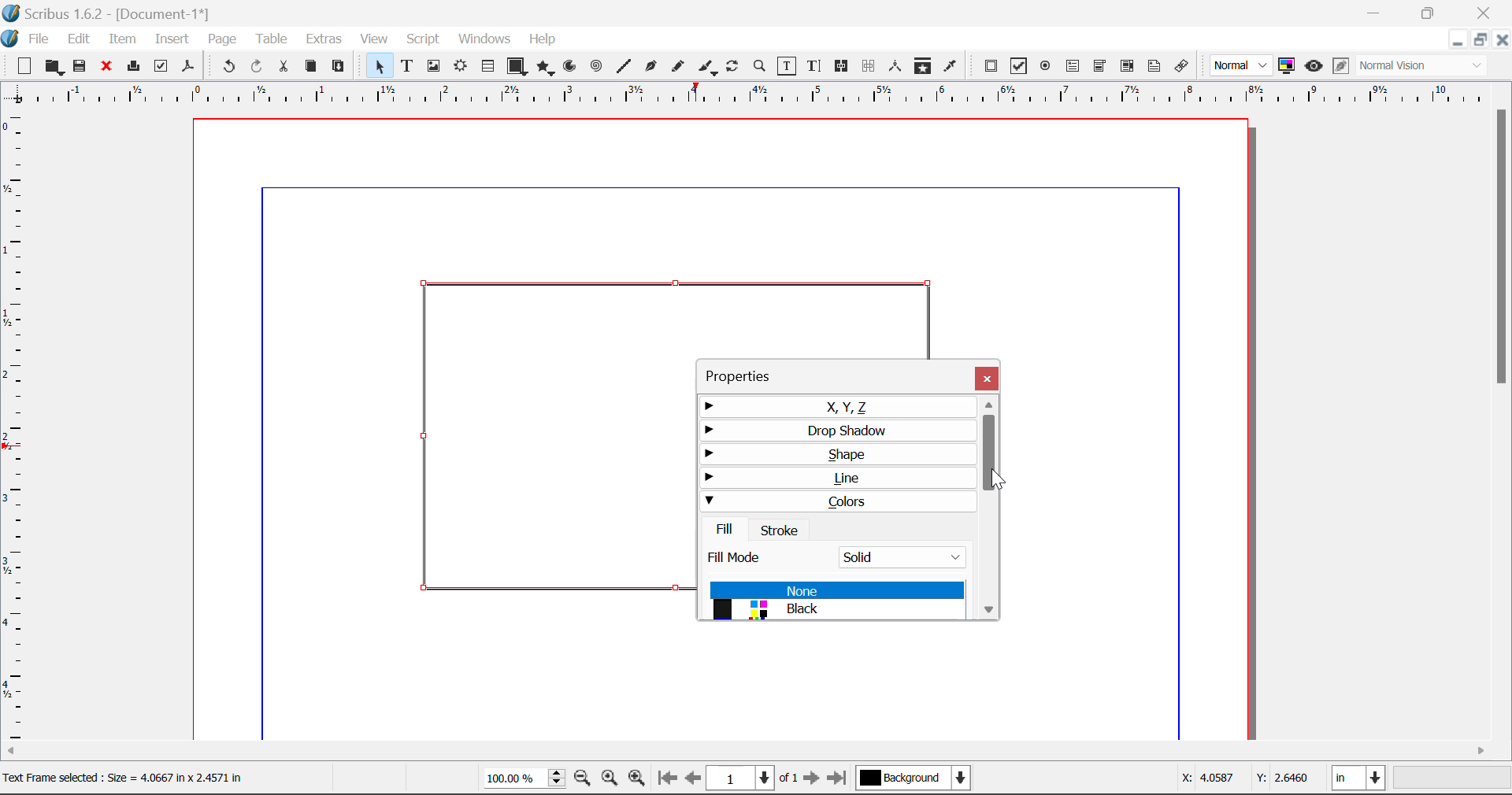 This screenshot has height=795, width=1512. Describe the element at coordinates (987, 378) in the screenshot. I see `Close` at that location.